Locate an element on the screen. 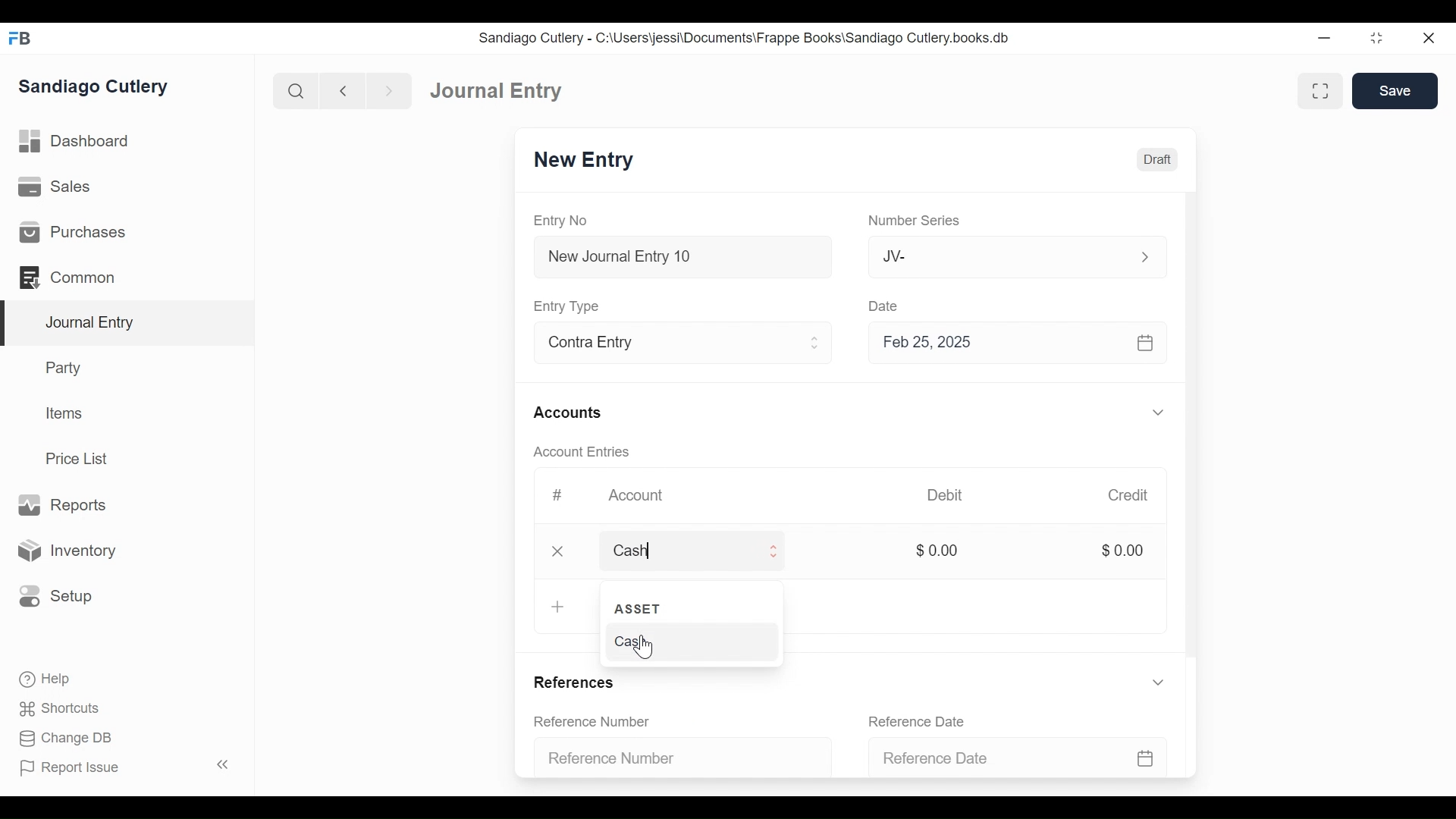 This screenshot has width=1456, height=819. Inventory is located at coordinates (71, 550).